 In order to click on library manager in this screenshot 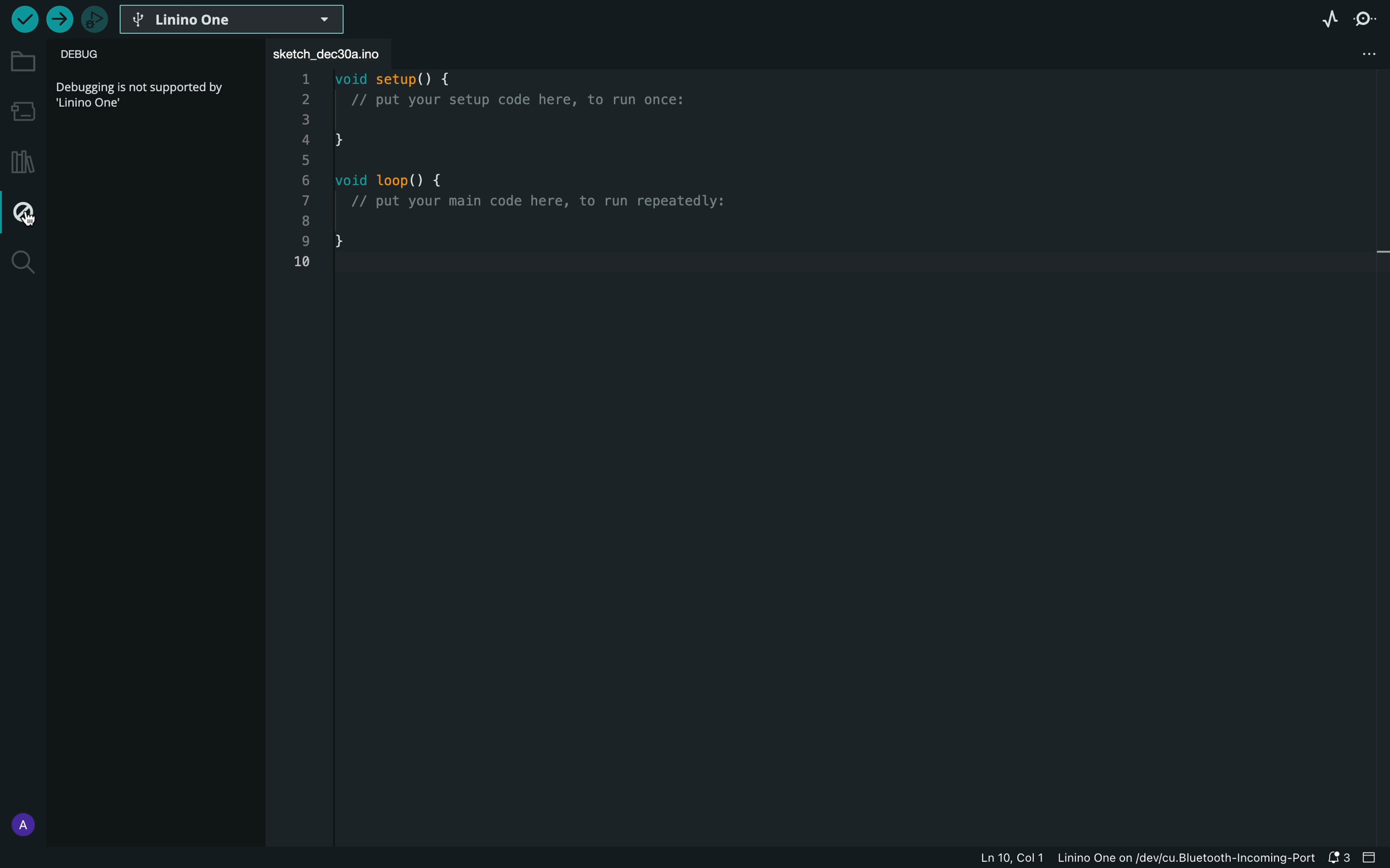, I will do `click(23, 162)`.